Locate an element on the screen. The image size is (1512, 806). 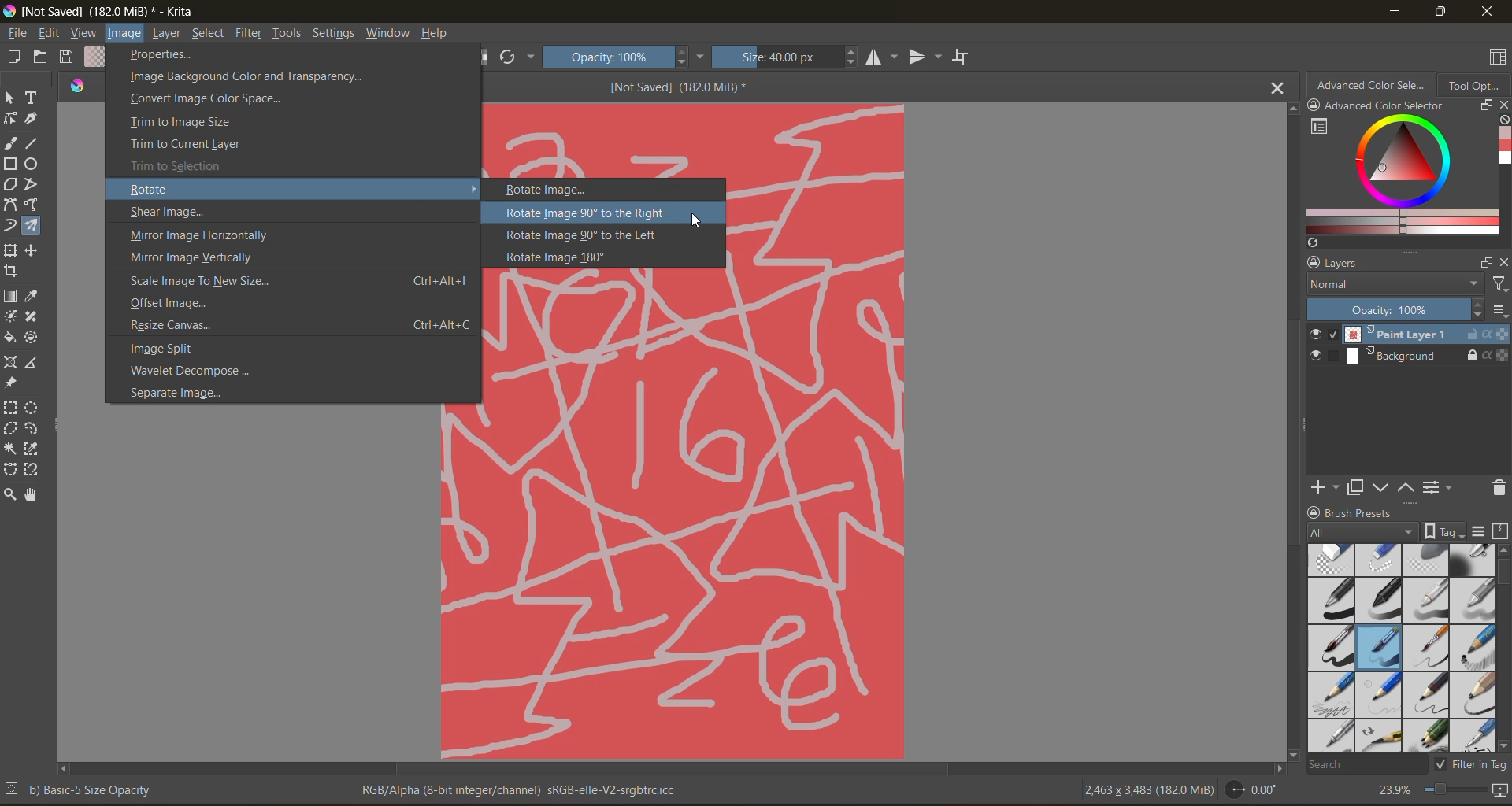
filter in tag is located at coordinates (1468, 766).